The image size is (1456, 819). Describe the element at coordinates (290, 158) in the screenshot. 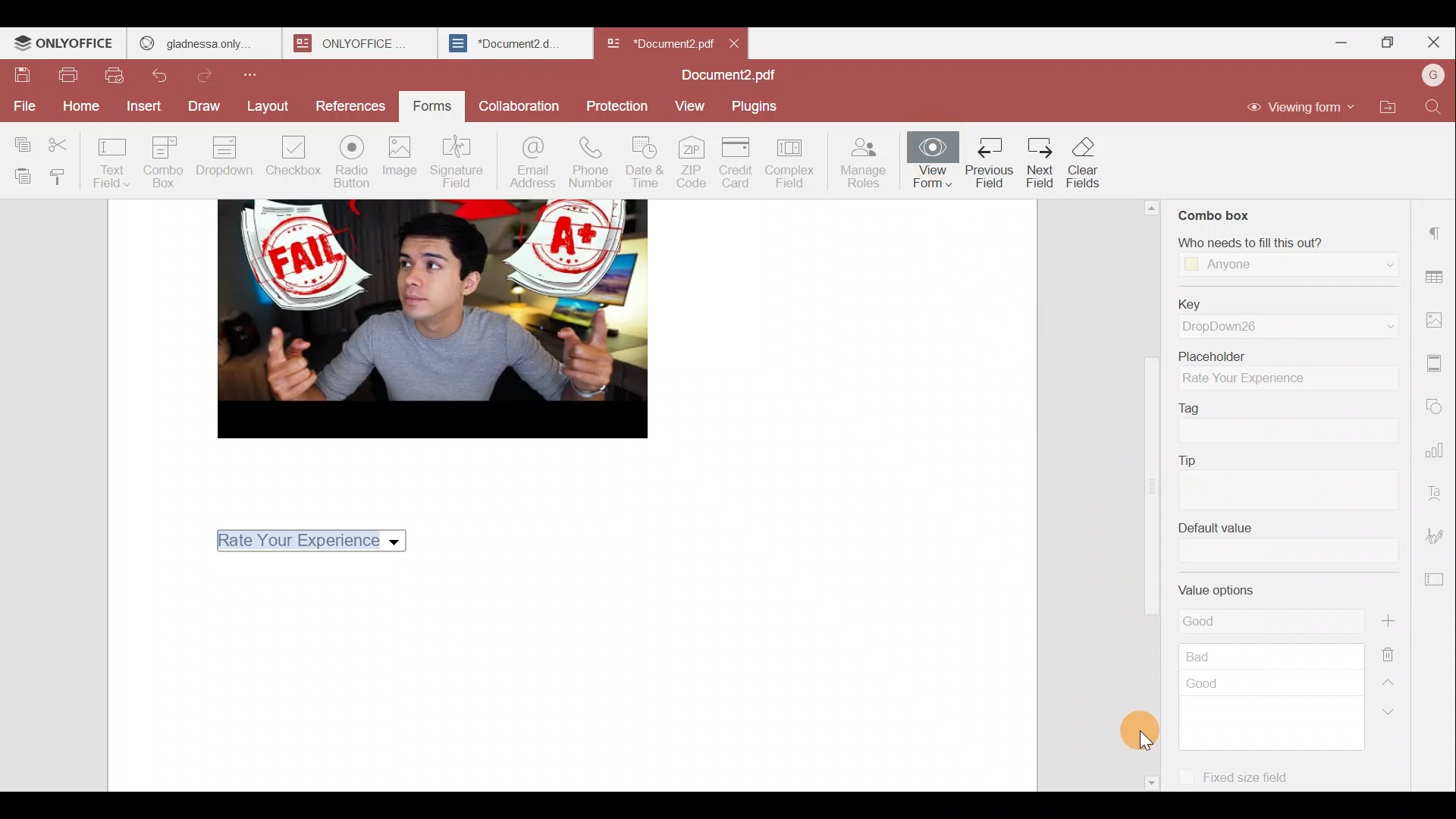

I see `Checkbox` at that location.